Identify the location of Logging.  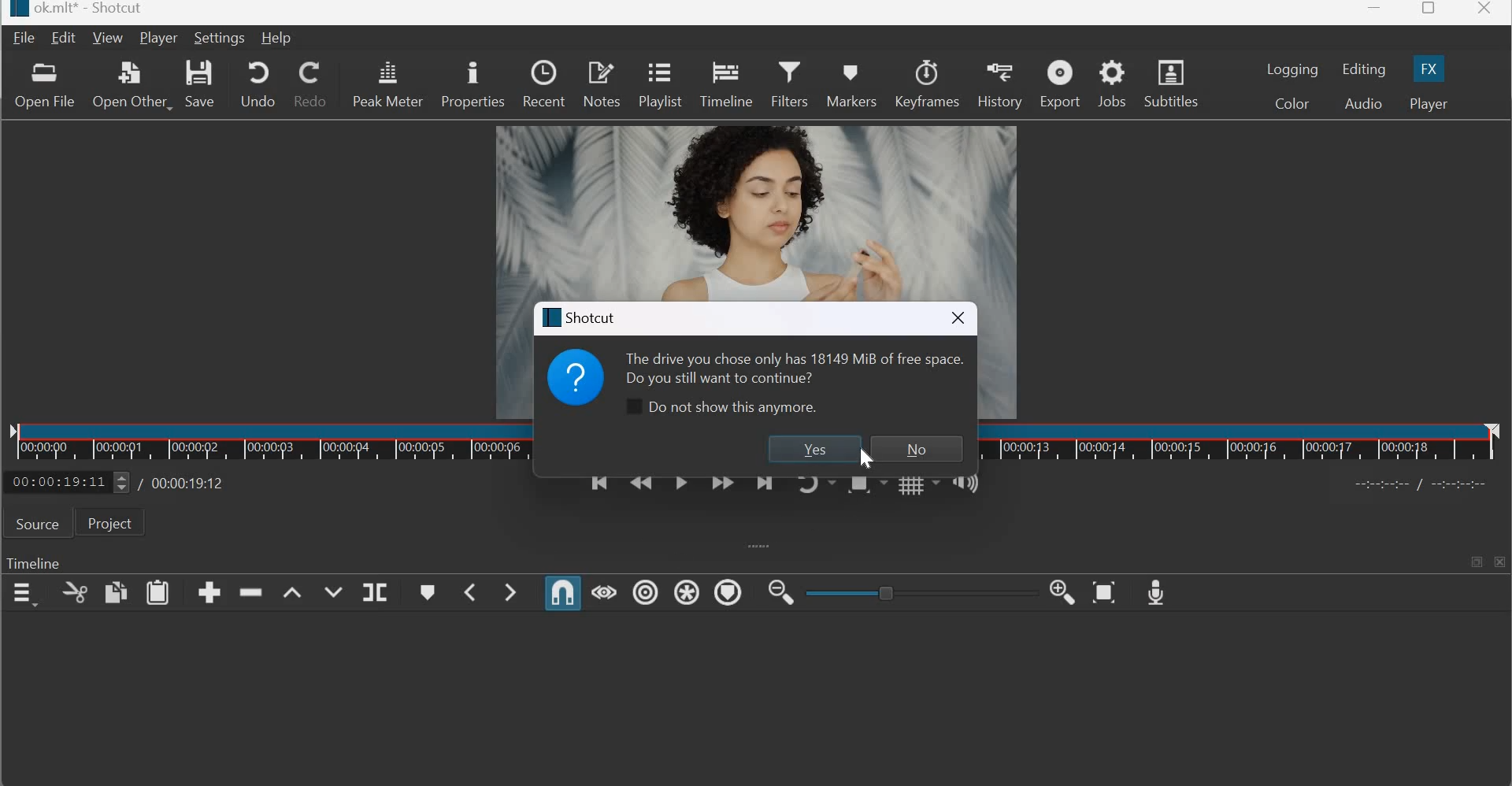
(1293, 69).